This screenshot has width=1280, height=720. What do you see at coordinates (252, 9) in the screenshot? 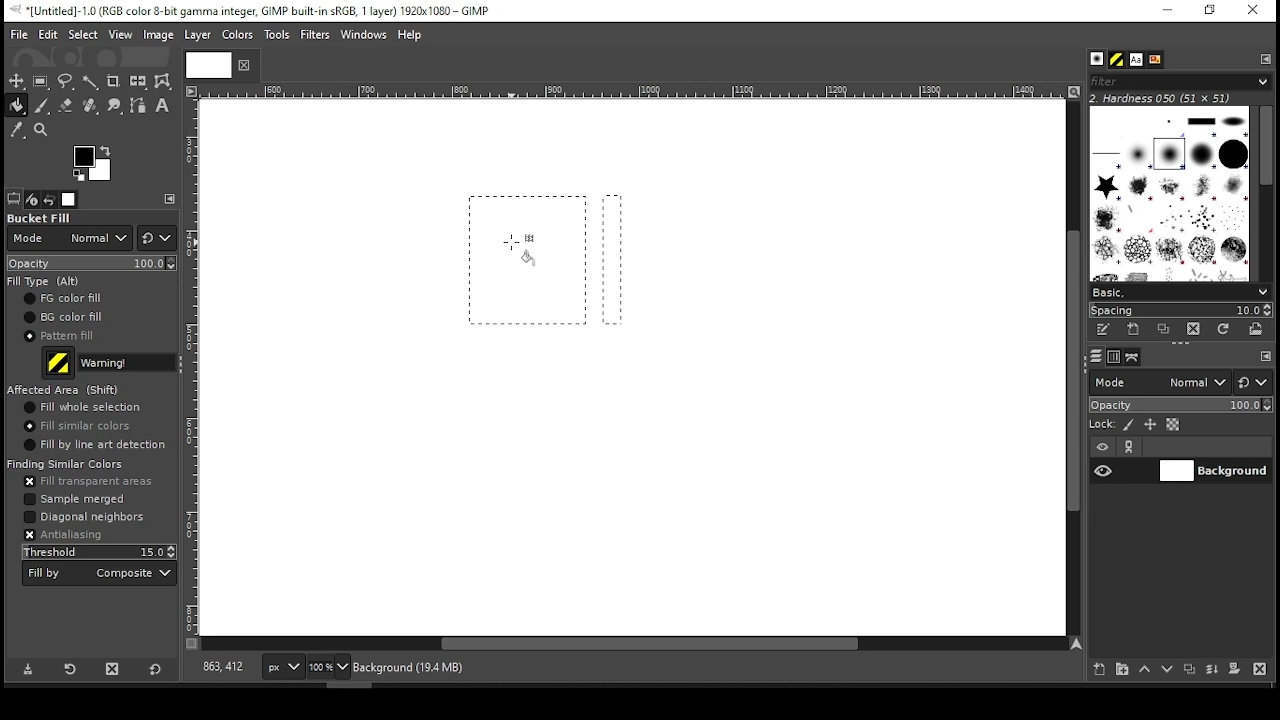
I see `icon and filename` at bounding box center [252, 9].